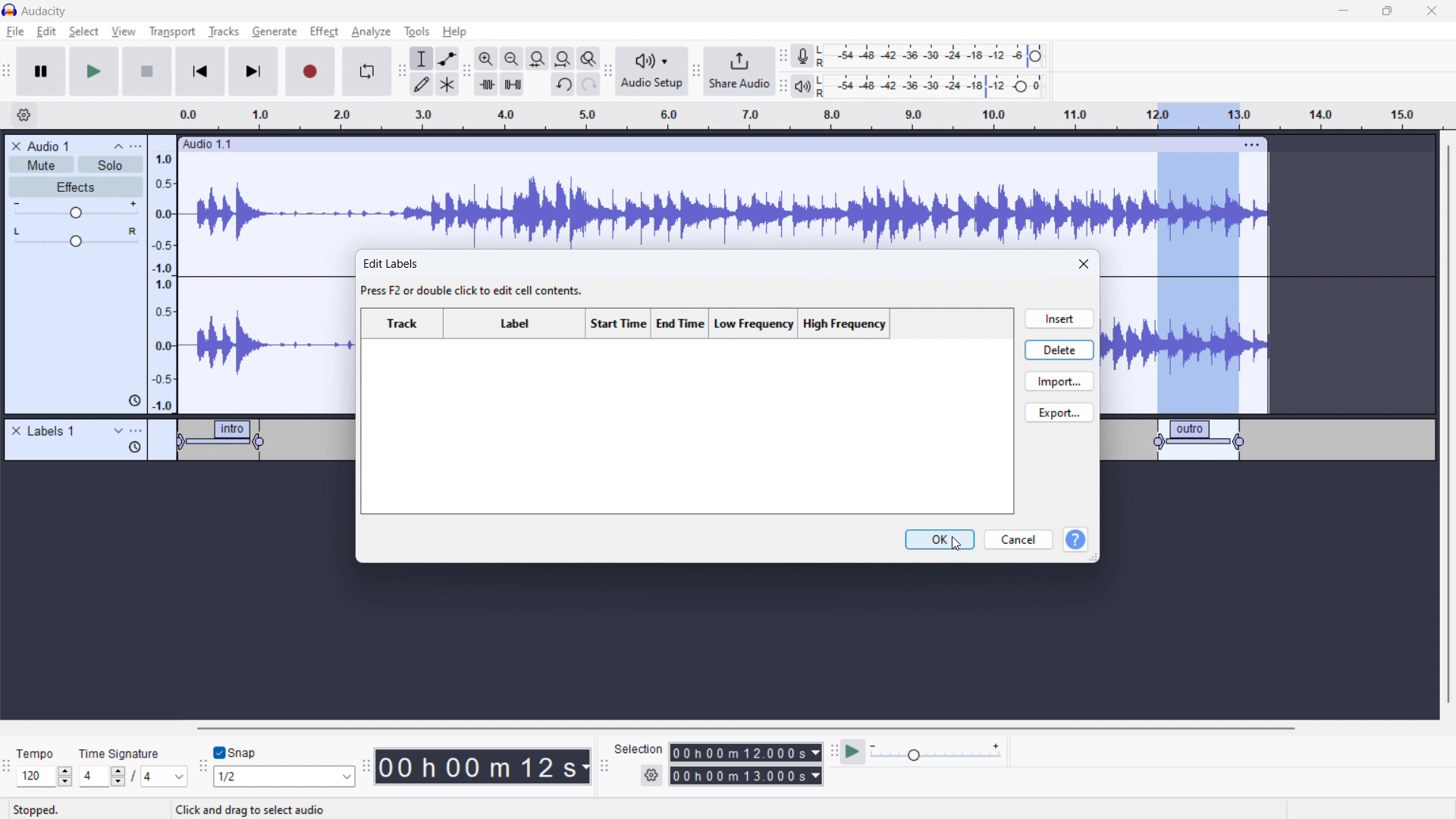 This screenshot has height=819, width=1456. Describe the element at coordinates (746, 752) in the screenshot. I see `selection start time` at that location.